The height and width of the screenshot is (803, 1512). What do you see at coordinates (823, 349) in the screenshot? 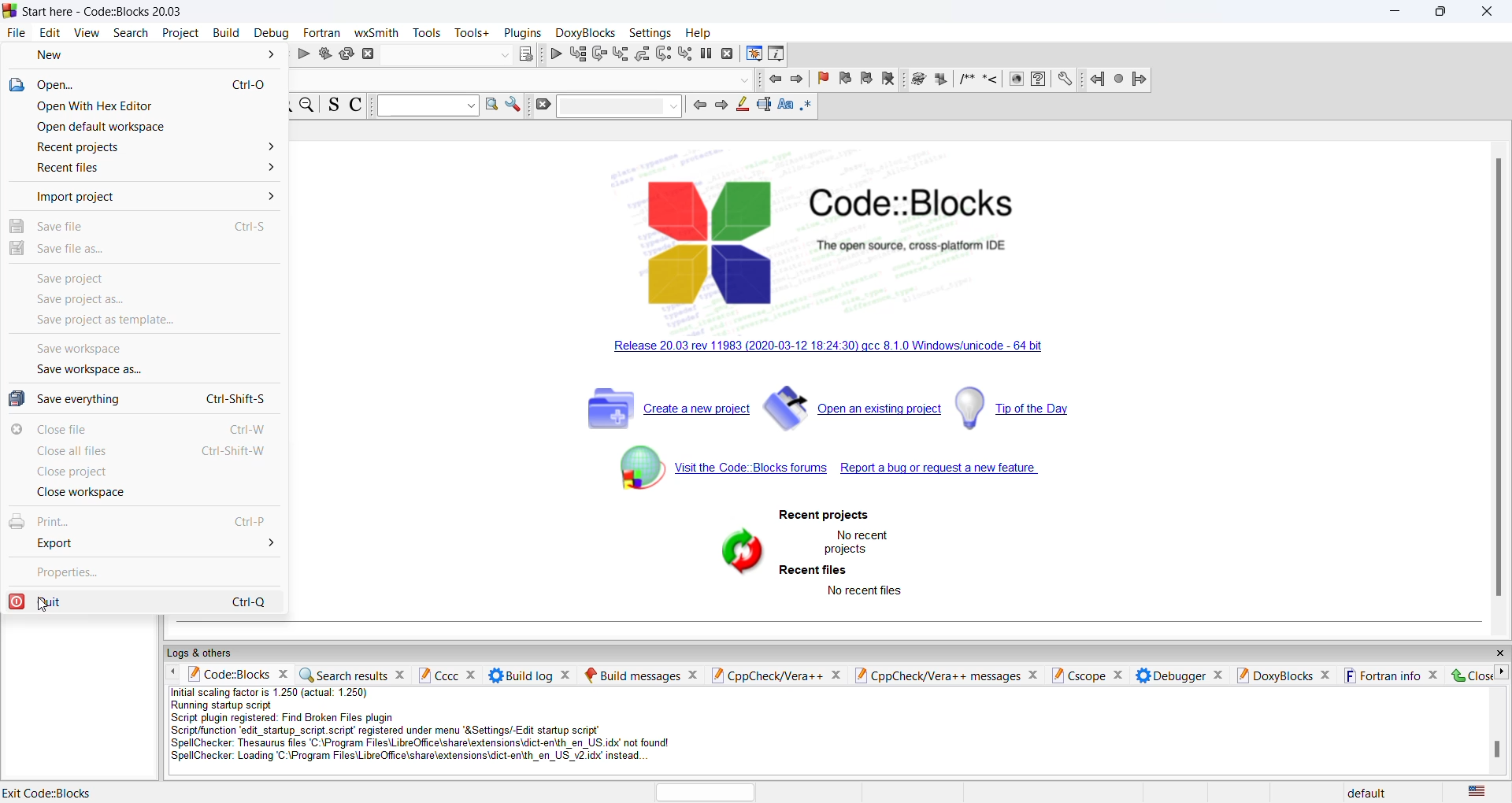
I see `new release` at bounding box center [823, 349].